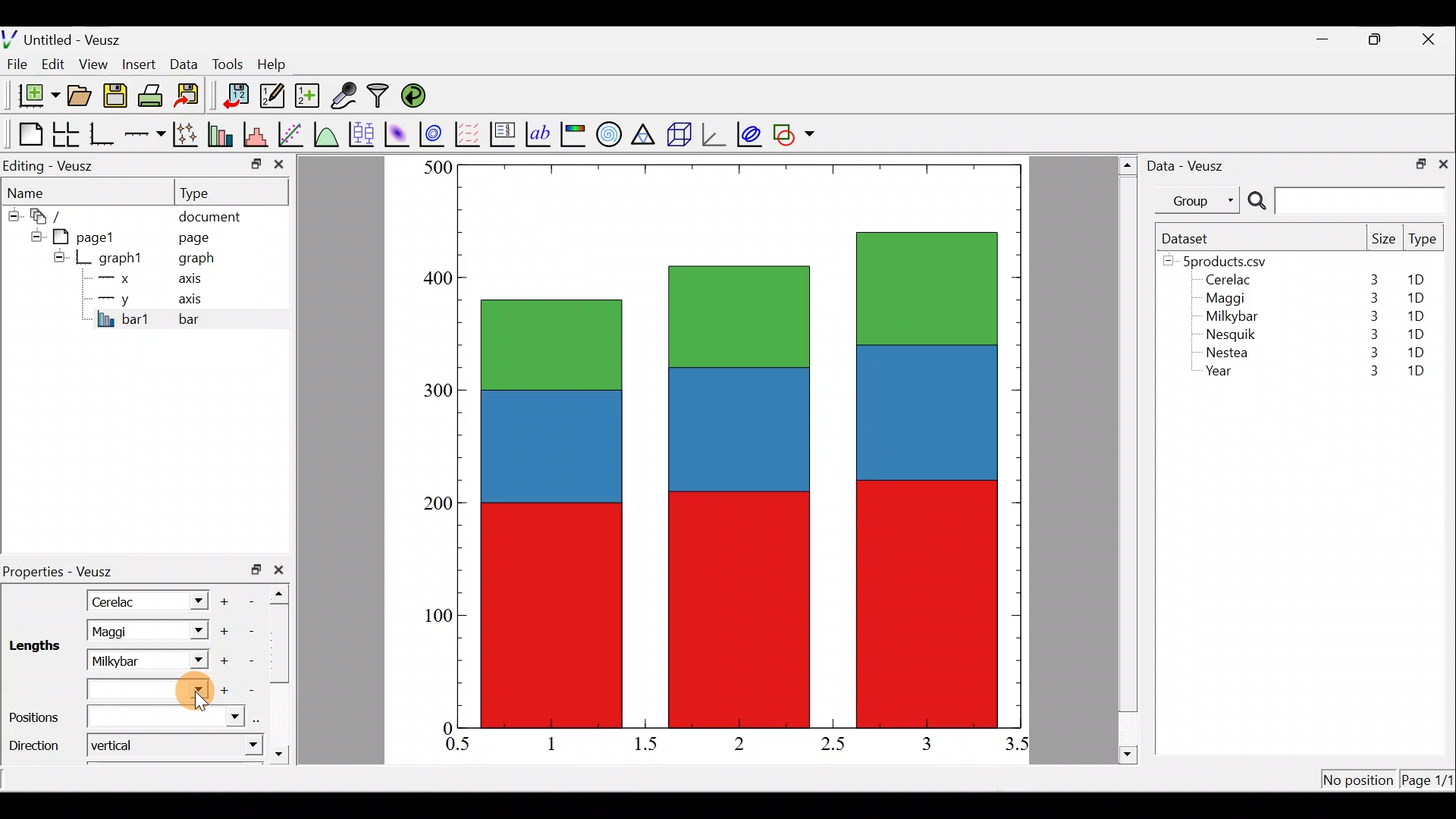  What do you see at coordinates (114, 297) in the screenshot?
I see `y` at bounding box center [114, 297].